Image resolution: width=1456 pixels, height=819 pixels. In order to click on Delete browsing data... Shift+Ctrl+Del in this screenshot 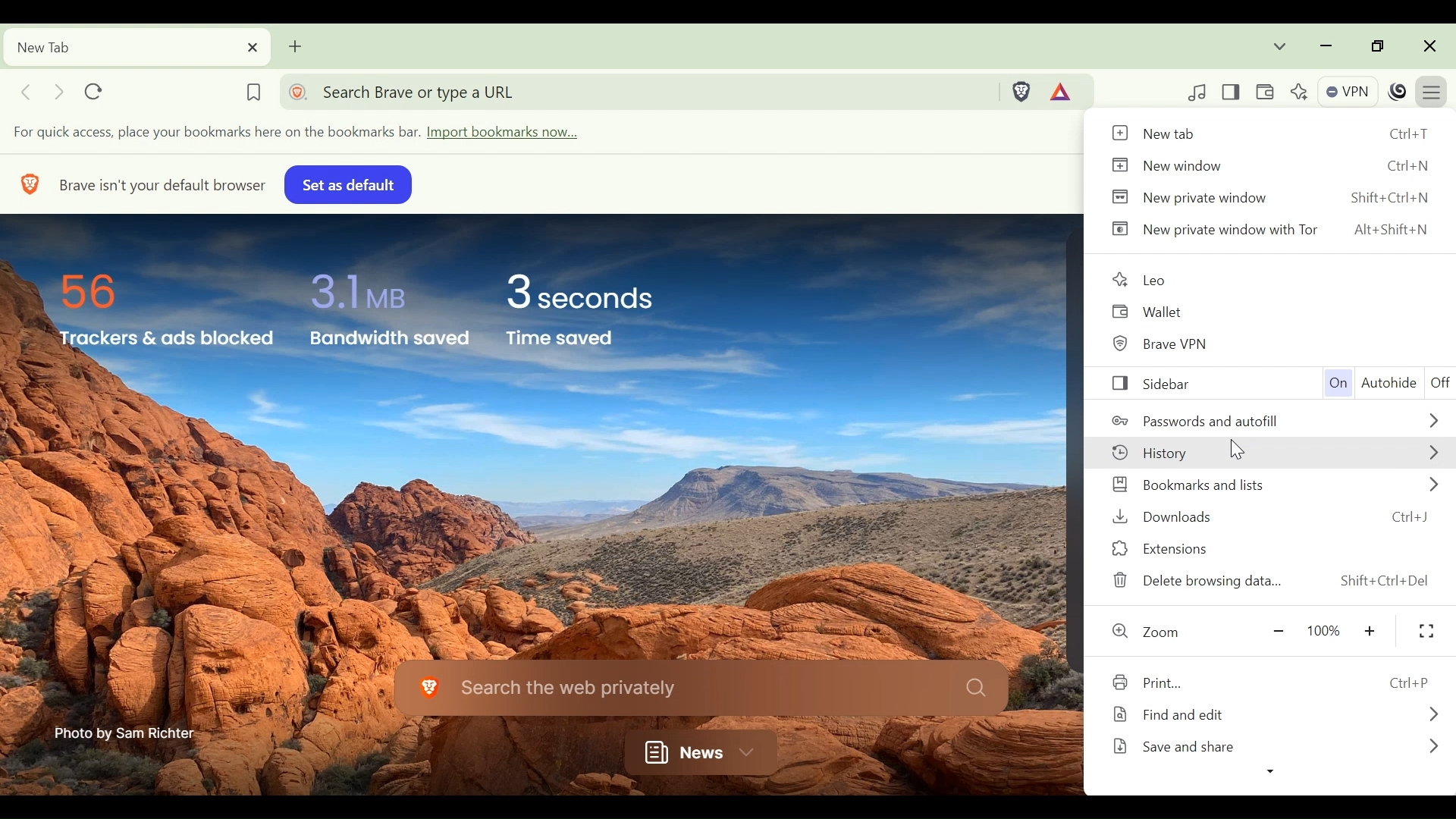, I will do `click(1273, 582)`.